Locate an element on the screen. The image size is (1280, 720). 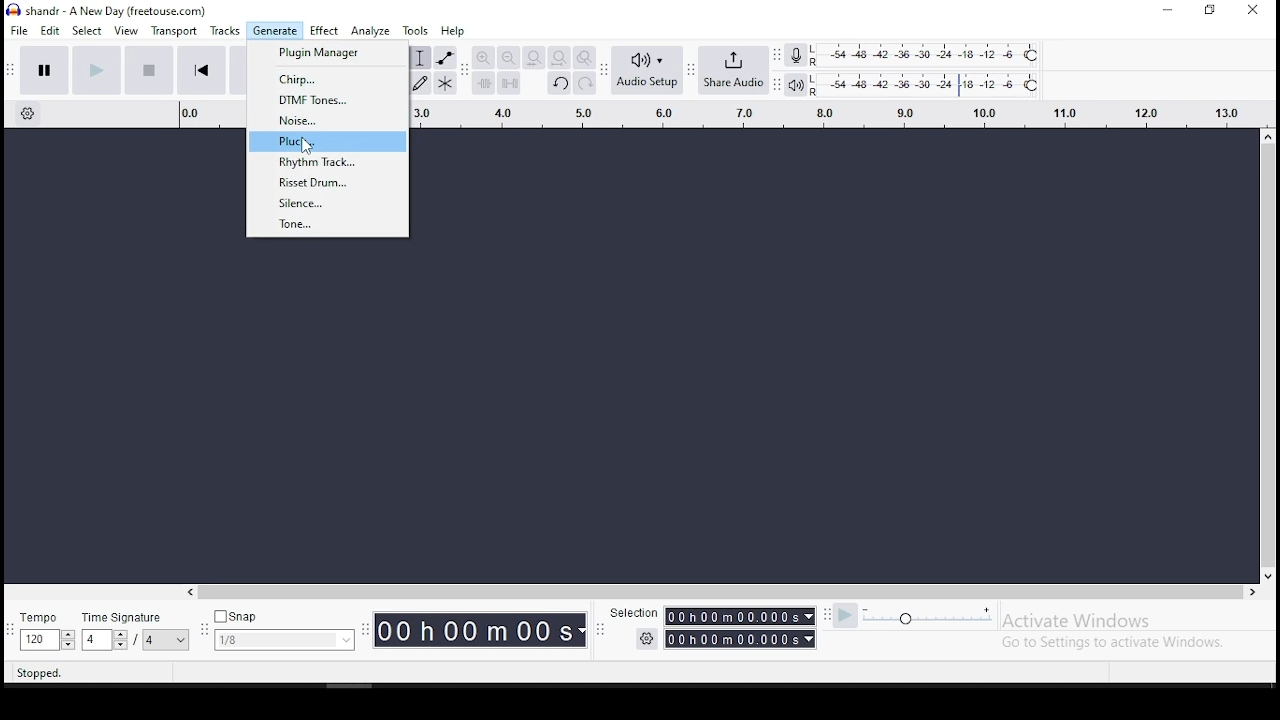
tone is located at coordinates (329, 225).